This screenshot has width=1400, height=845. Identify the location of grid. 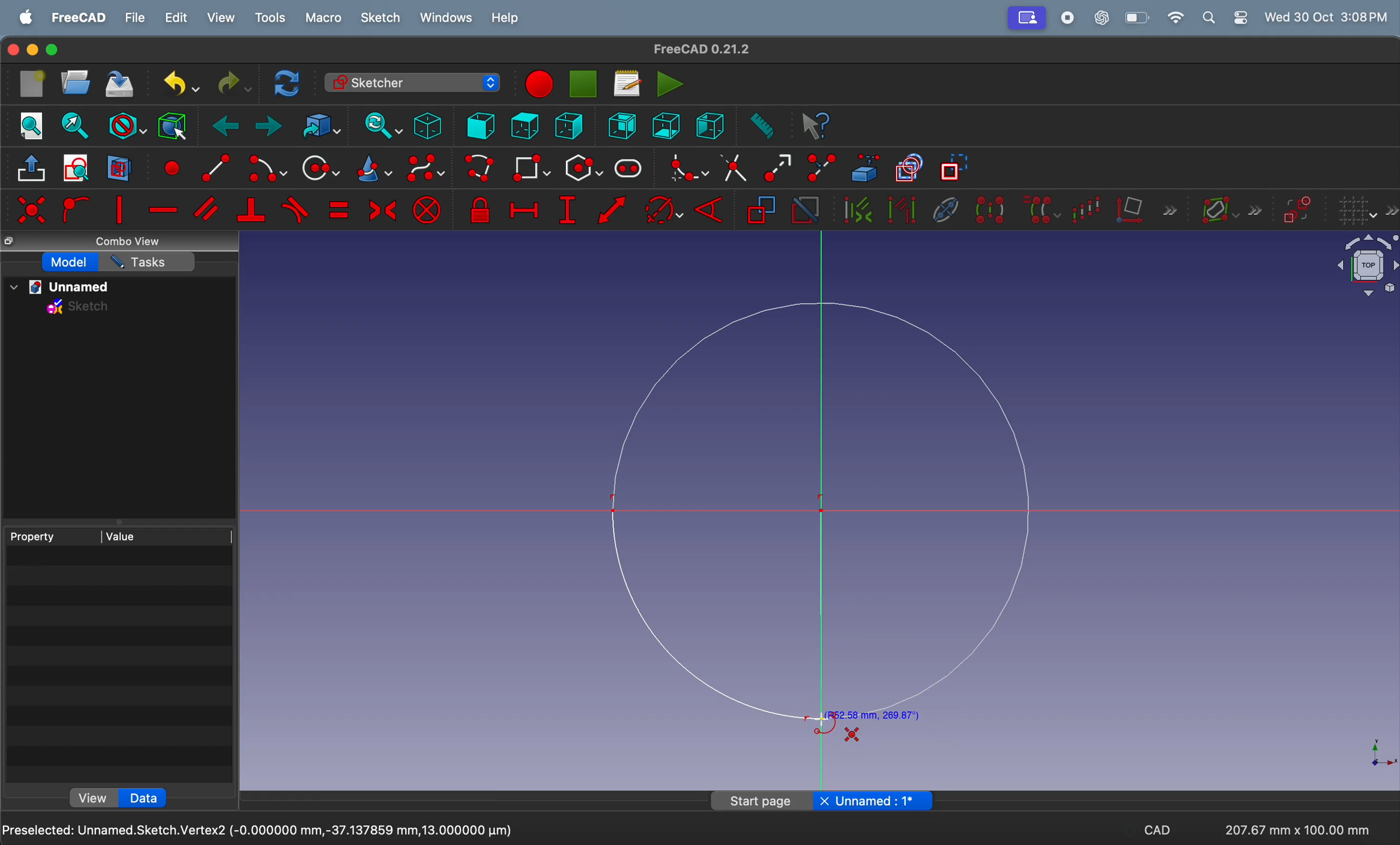
(1367, 211).